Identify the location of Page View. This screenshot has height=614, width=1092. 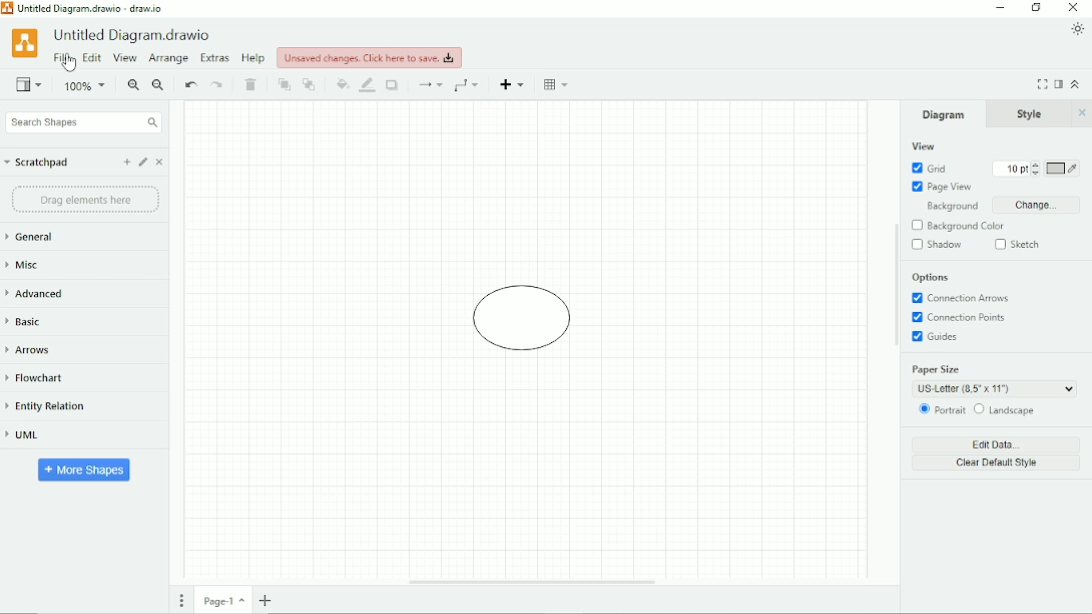
(941, 186).